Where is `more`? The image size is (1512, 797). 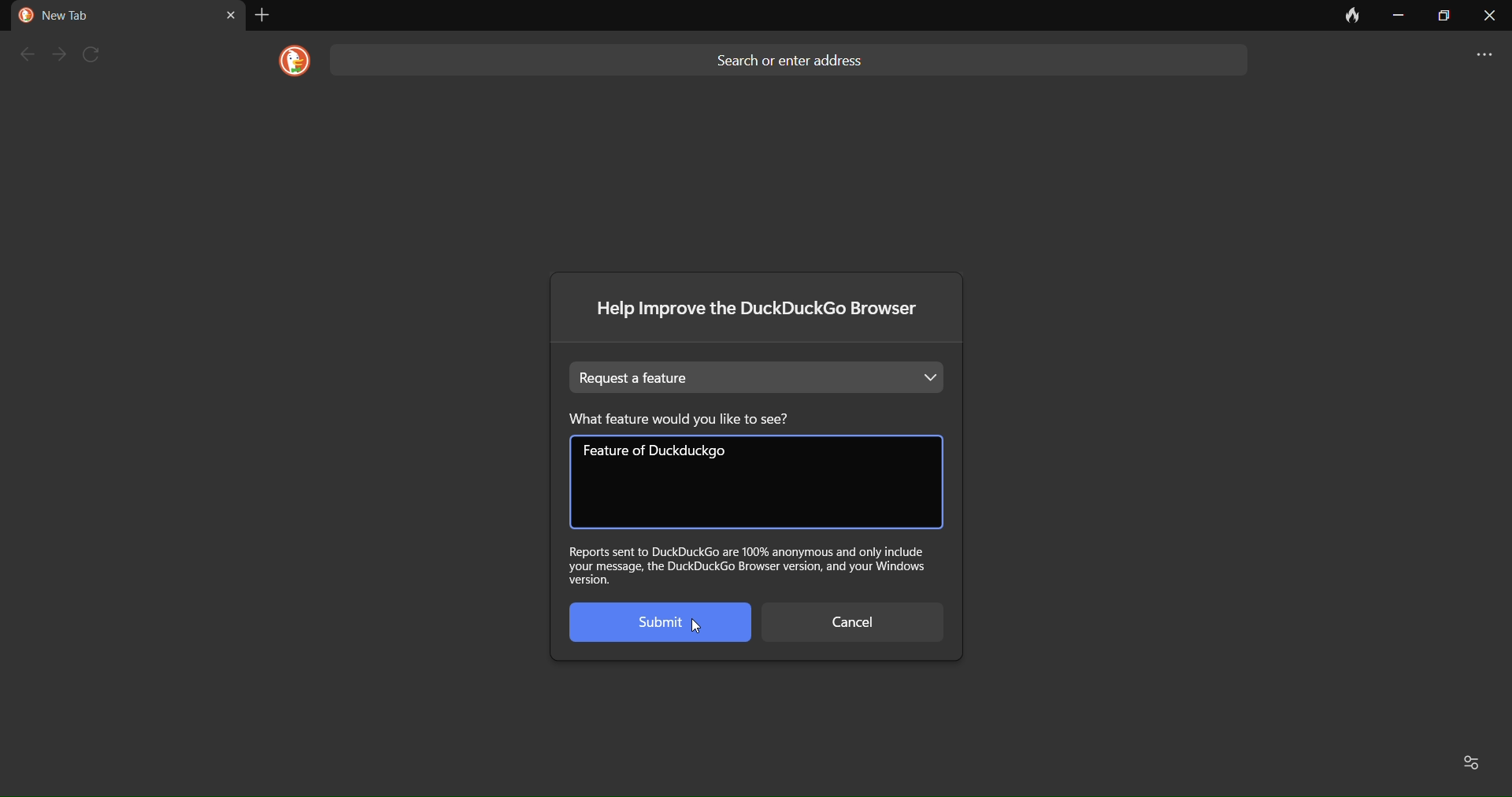 more is located at coordinates (1476, 57).